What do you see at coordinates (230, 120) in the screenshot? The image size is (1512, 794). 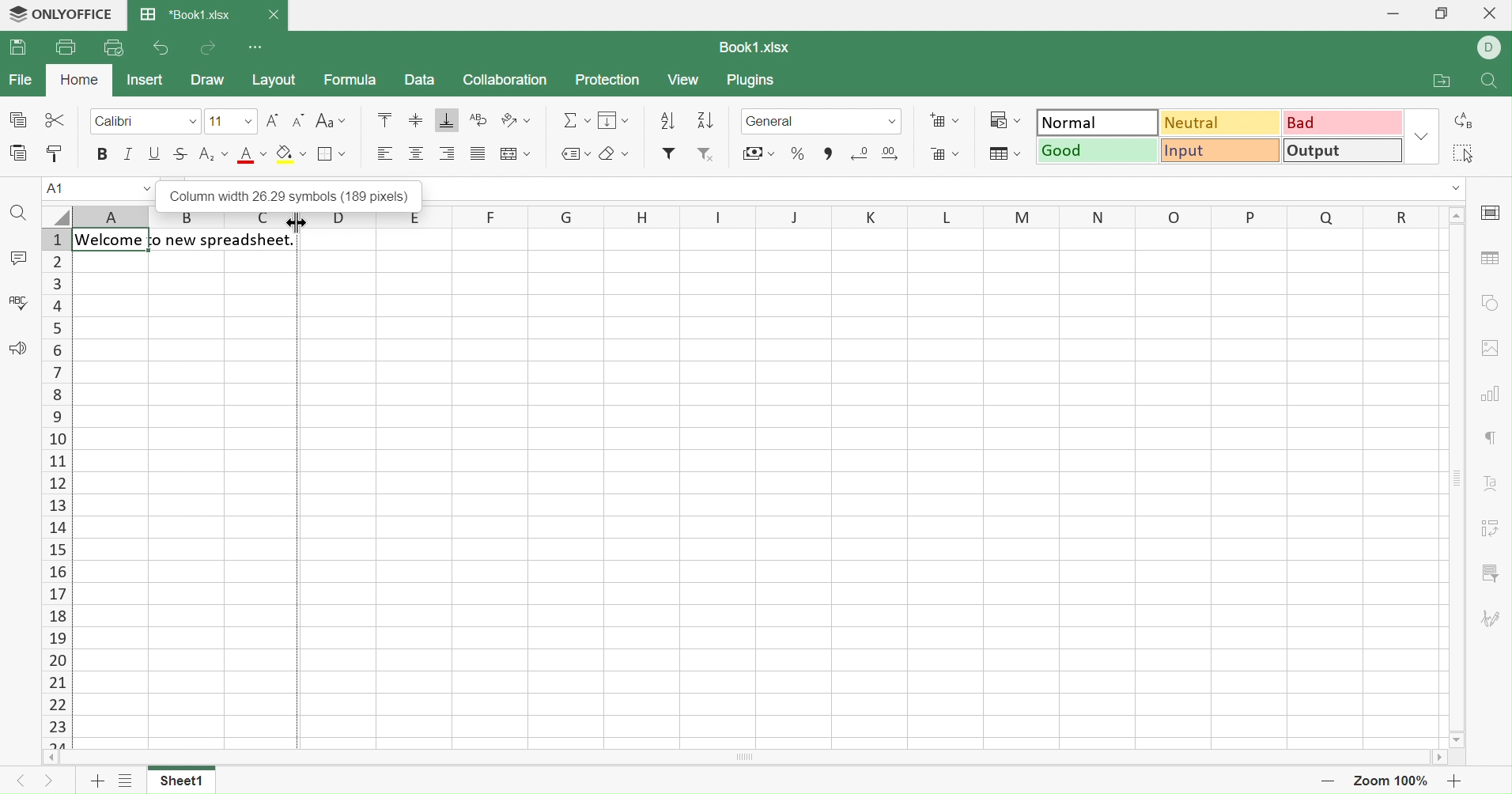 I see `font size` at bounding box center [230, 120].